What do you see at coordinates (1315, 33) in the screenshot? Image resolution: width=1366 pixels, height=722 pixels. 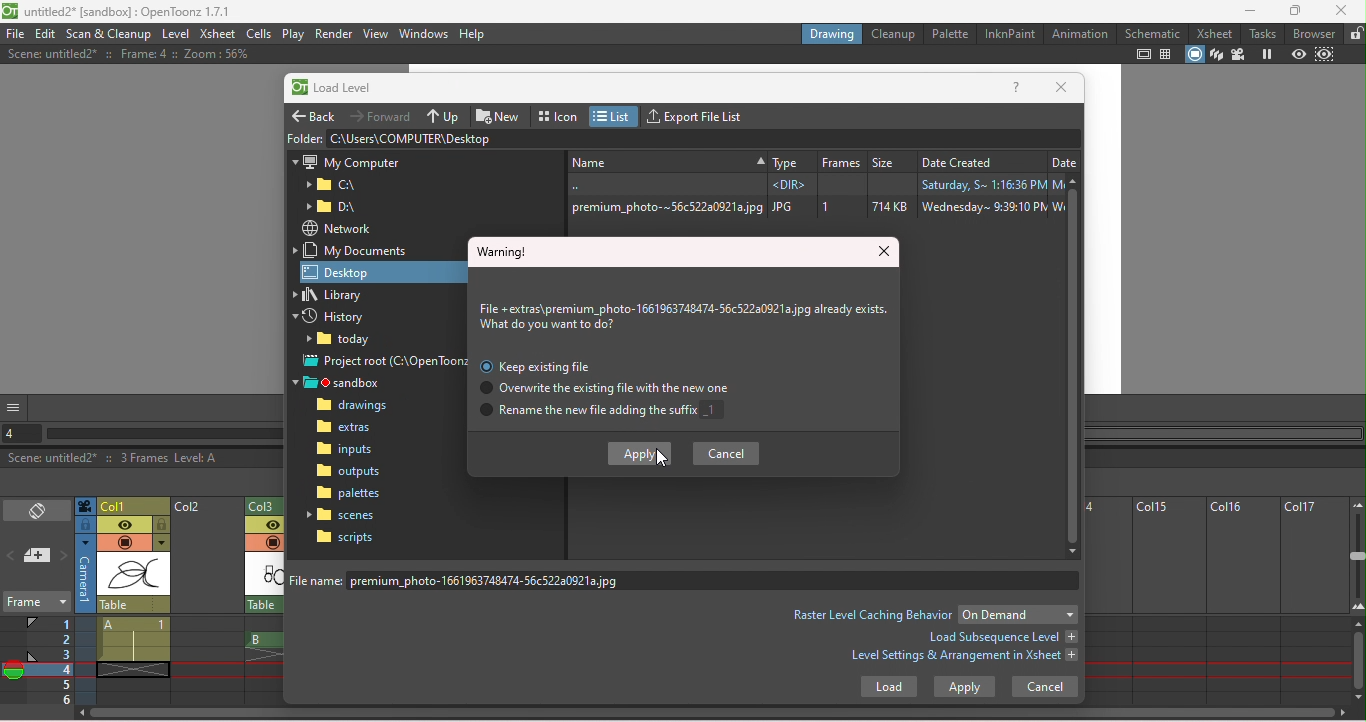 I see `Browser` at bounding box center [1315, 33].